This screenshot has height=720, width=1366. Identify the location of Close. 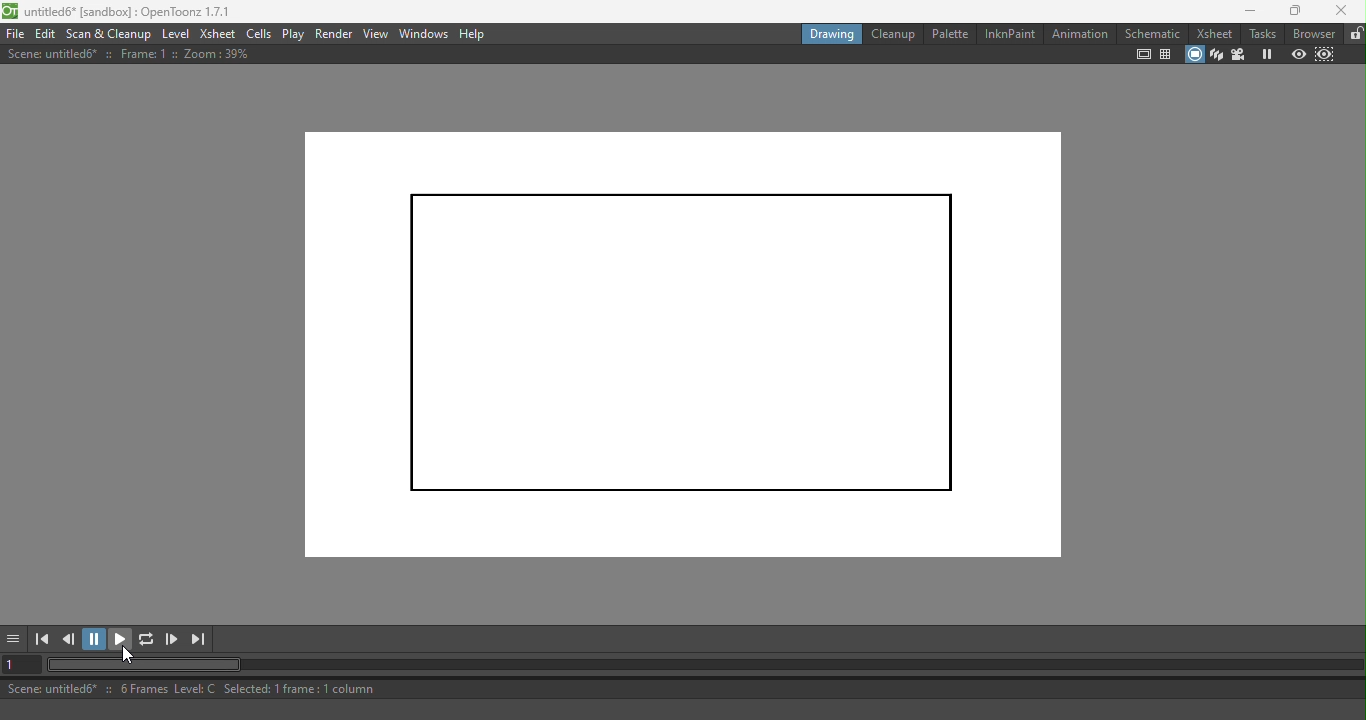
(1345, 11).